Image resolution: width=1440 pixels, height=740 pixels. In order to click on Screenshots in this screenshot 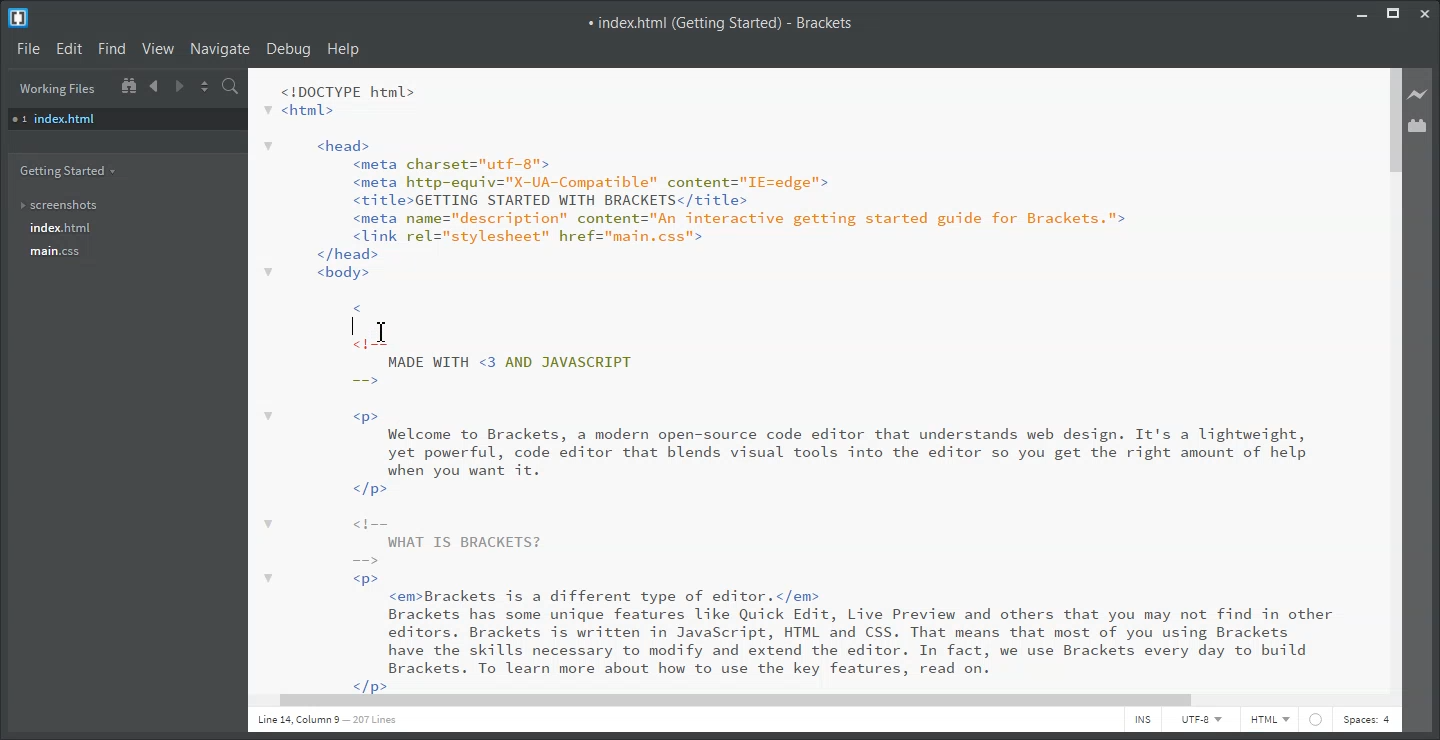, I will do `click(60, 206)`.